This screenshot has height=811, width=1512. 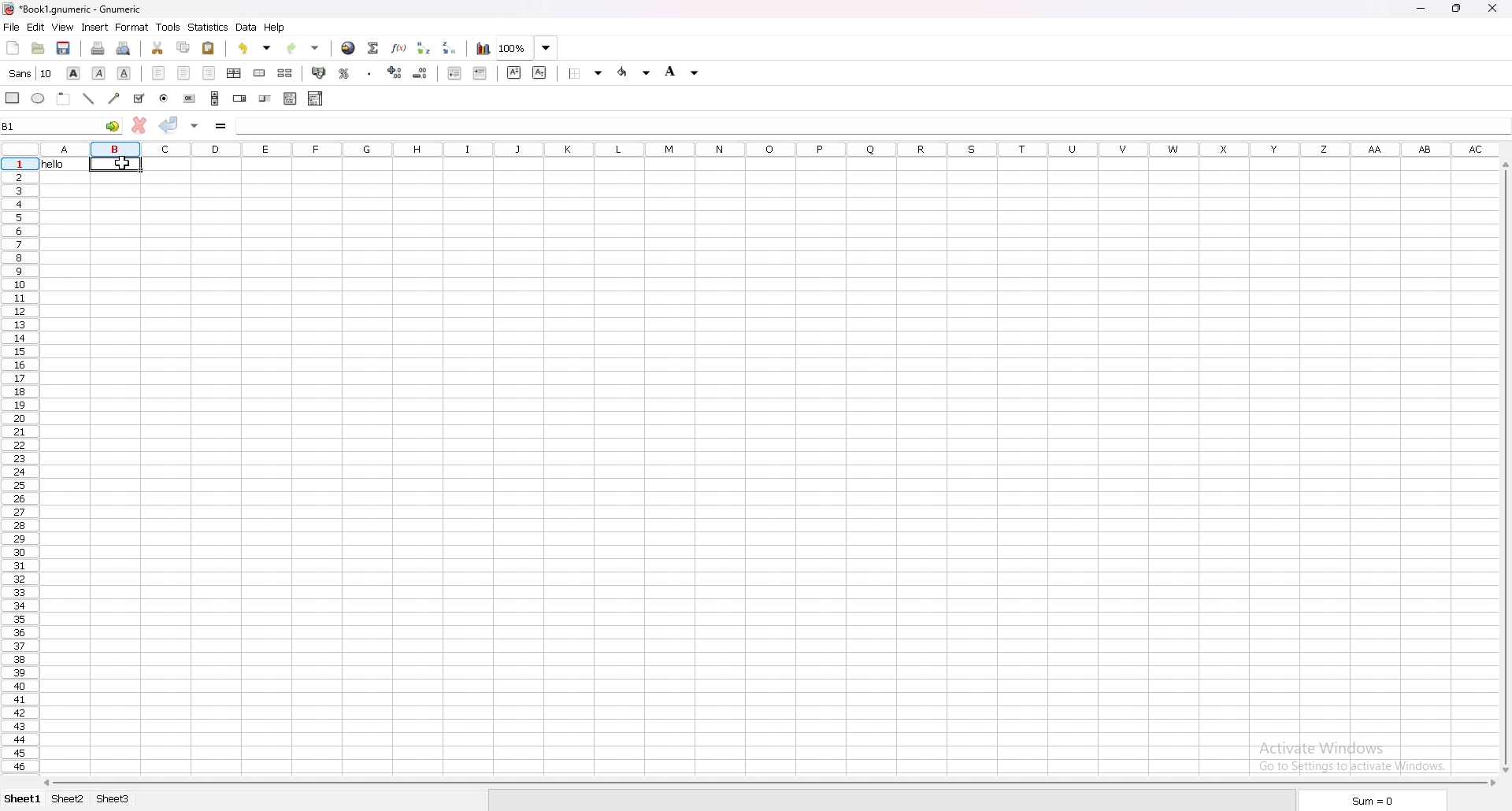 I want to click on create rectangle, so click(x=13, y=98).